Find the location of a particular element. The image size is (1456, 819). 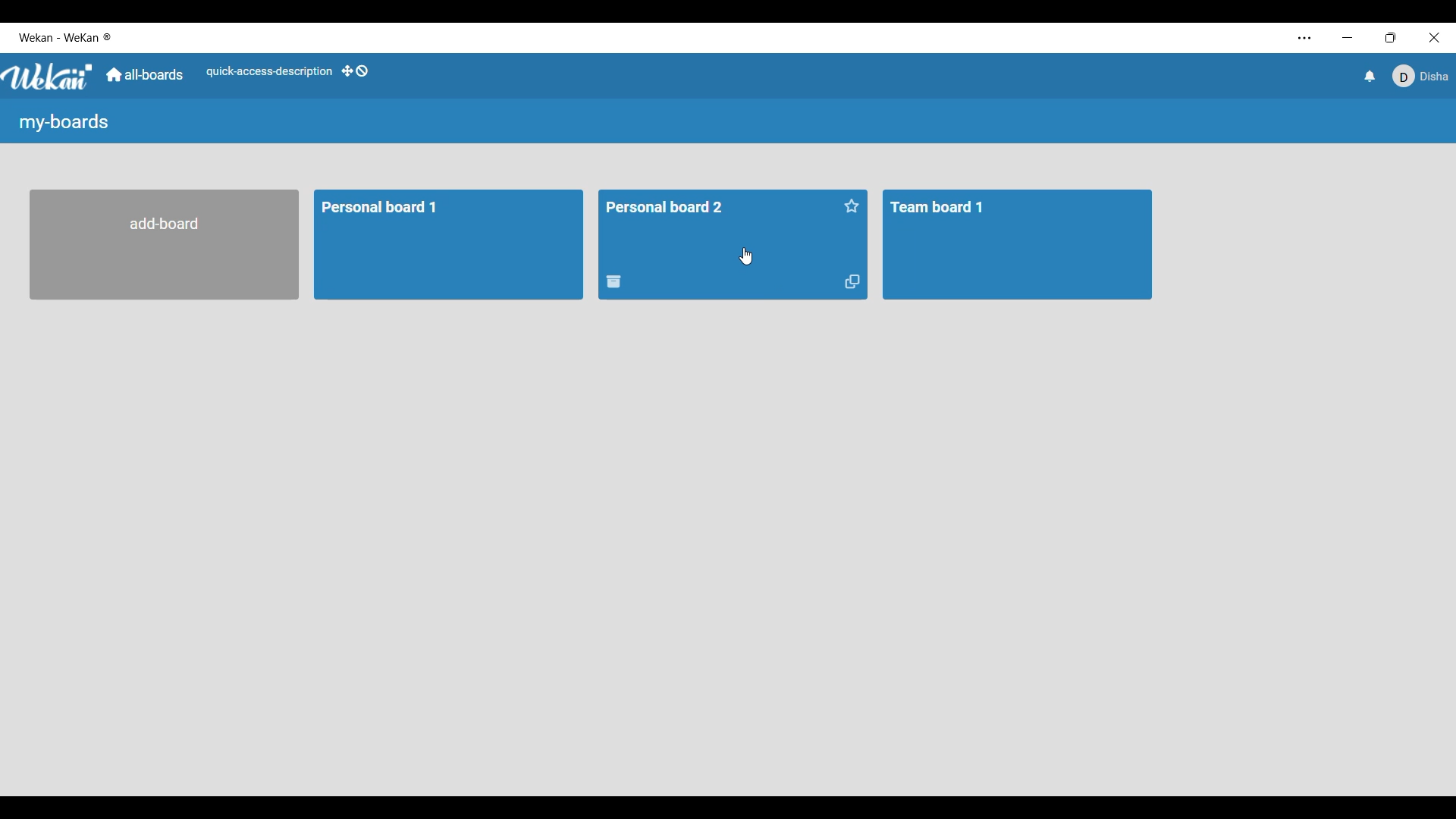

Close interface is located at coordinates (1435, 38).